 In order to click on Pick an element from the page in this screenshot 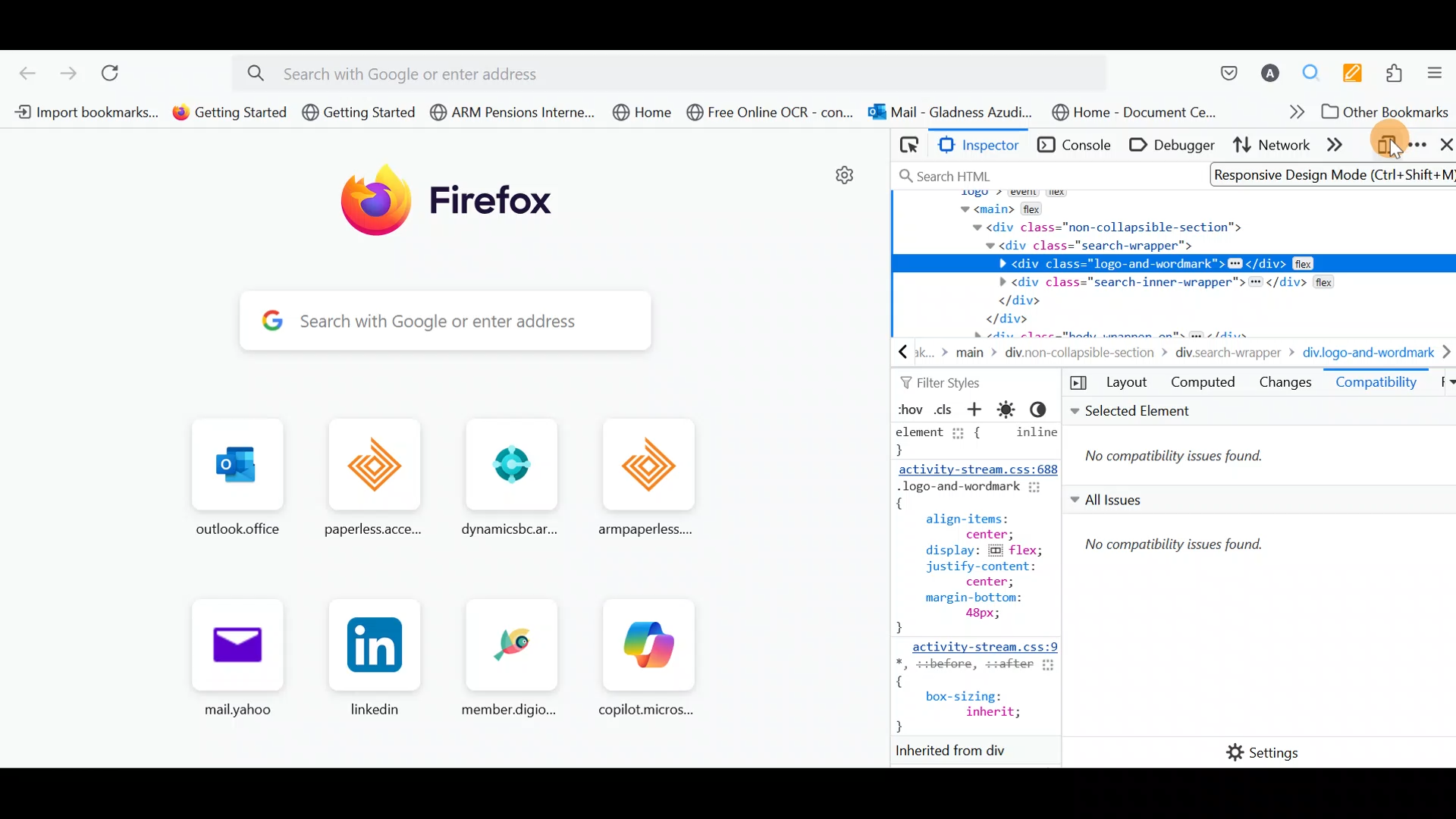, I will do `click(906, 148)`.